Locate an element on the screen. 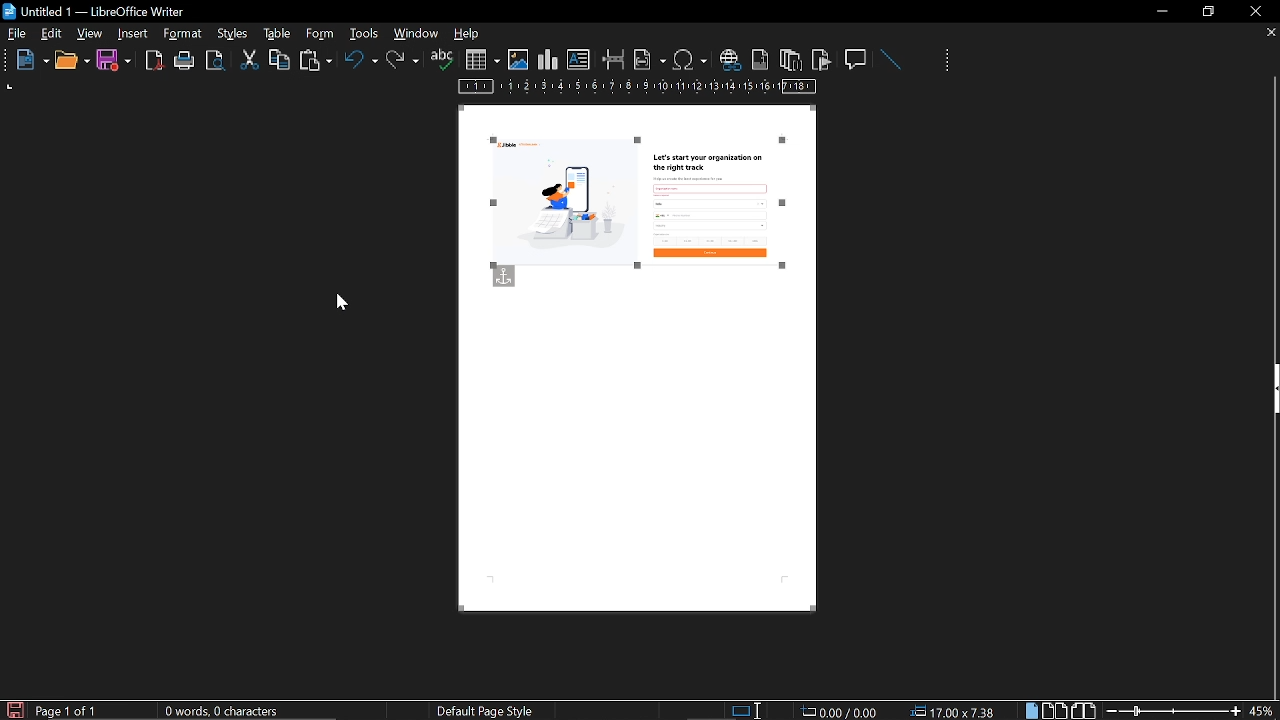 The height and width of the screenshot is (720, 1280). position is located at coordinates (956, 711).